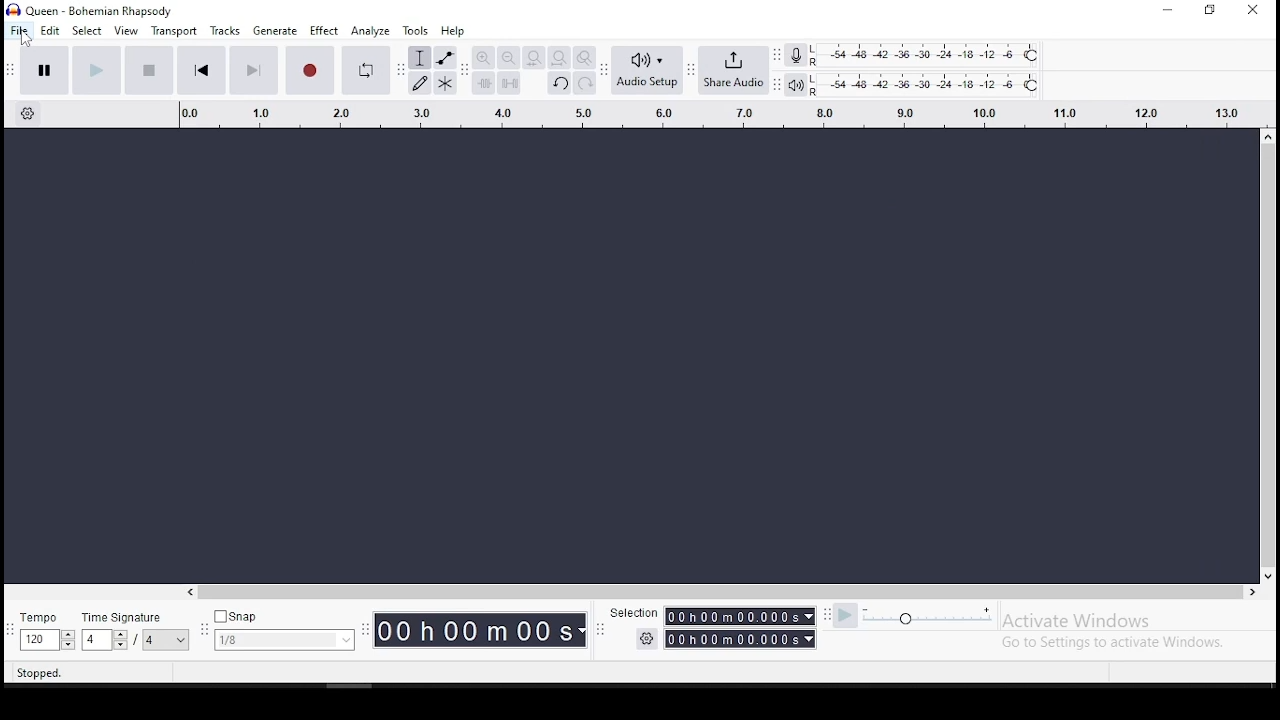 This screenshot has height=720, width=1280. Describe the element at coordinates (445, 58) in the screenshot. I see `envelope tool` at that location.